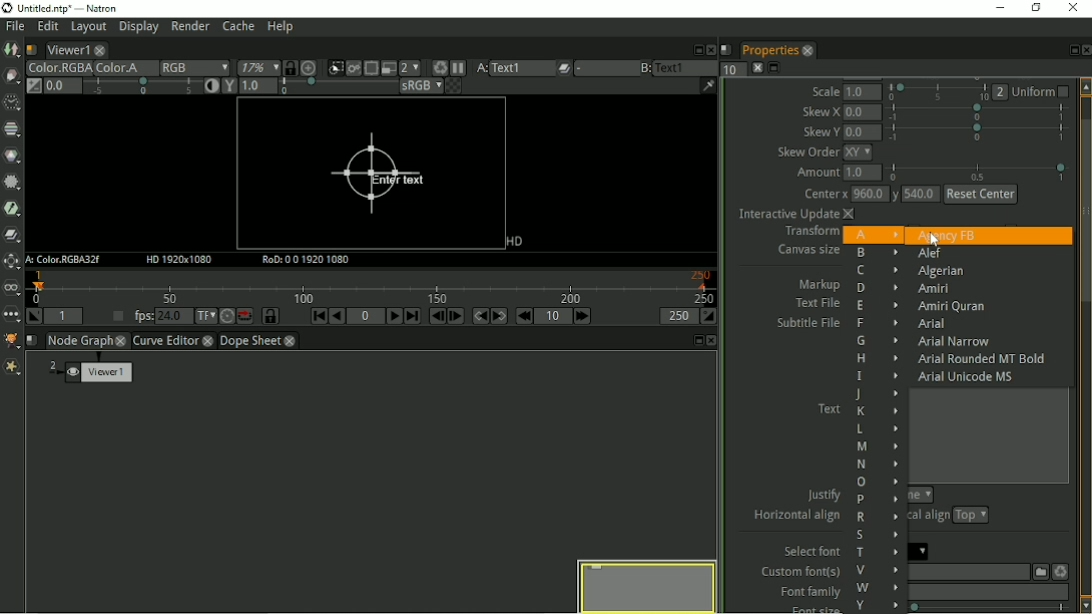 The image size is (1092, 614). What do you see at coordinates (420, 87) in the screenshot?
I see `sRGB` at bounding box center [420, 87].